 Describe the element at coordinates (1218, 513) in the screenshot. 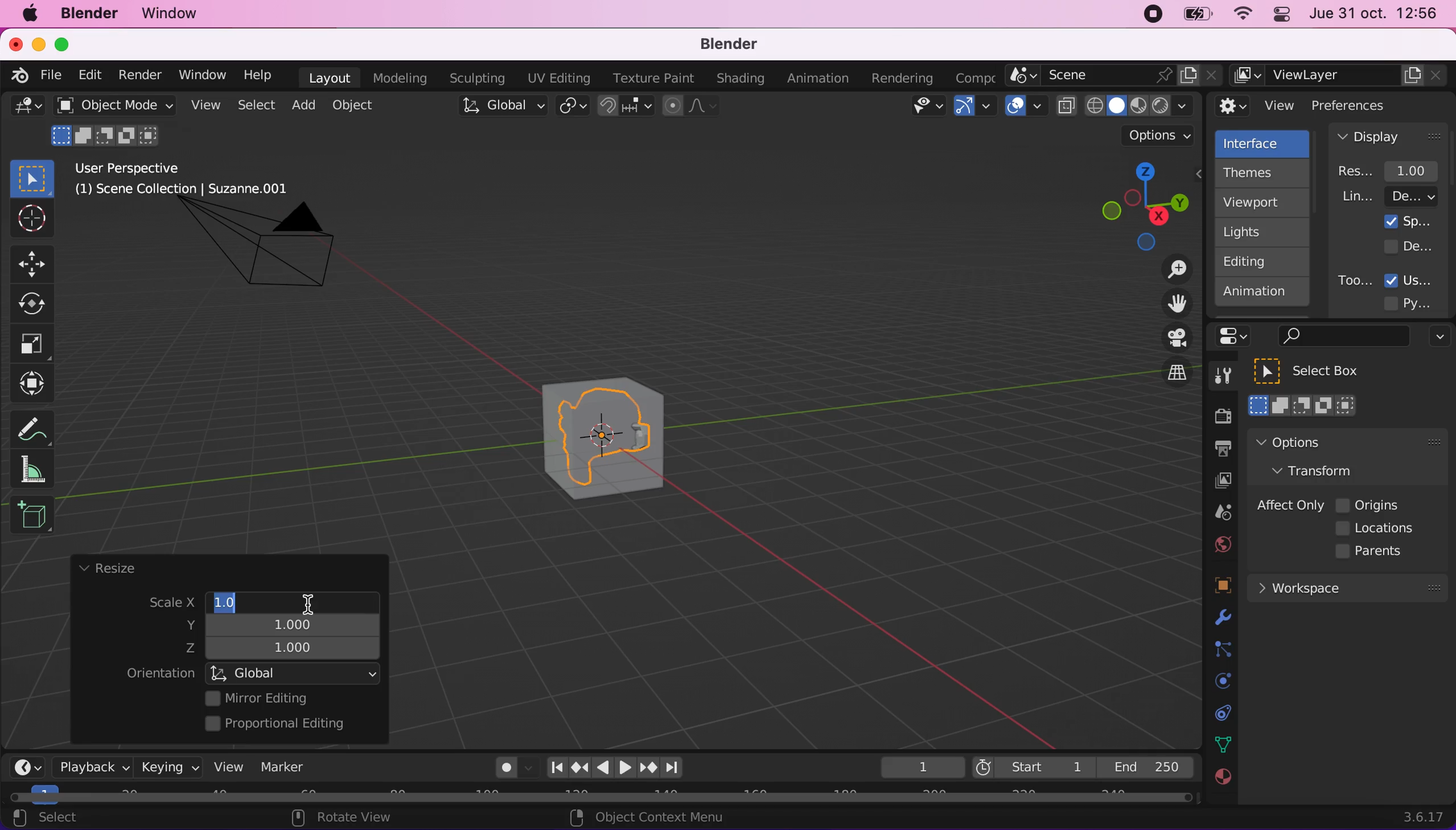

I see `scene` at that location.